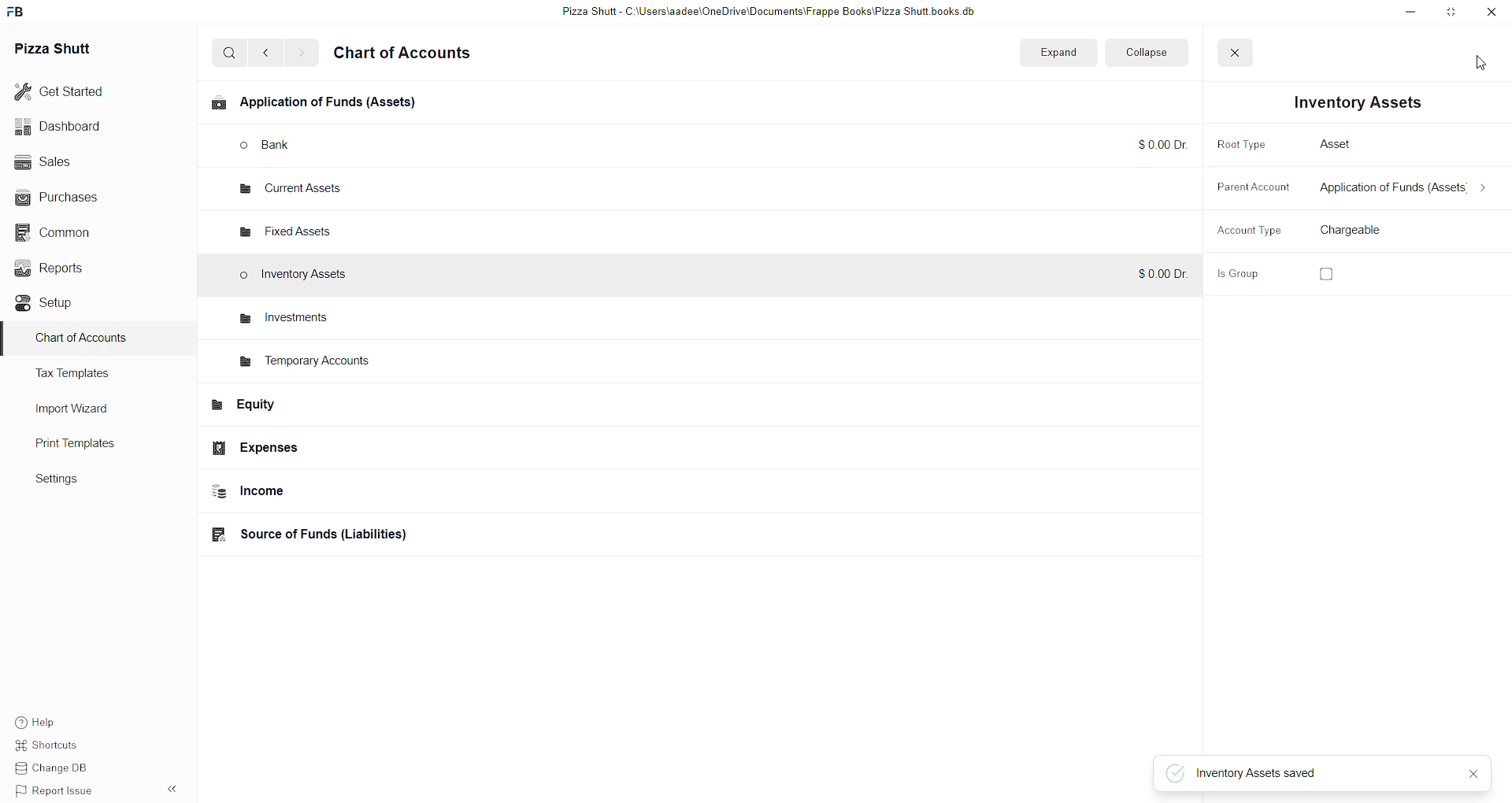  I want to click on save, so click(1473, 53).